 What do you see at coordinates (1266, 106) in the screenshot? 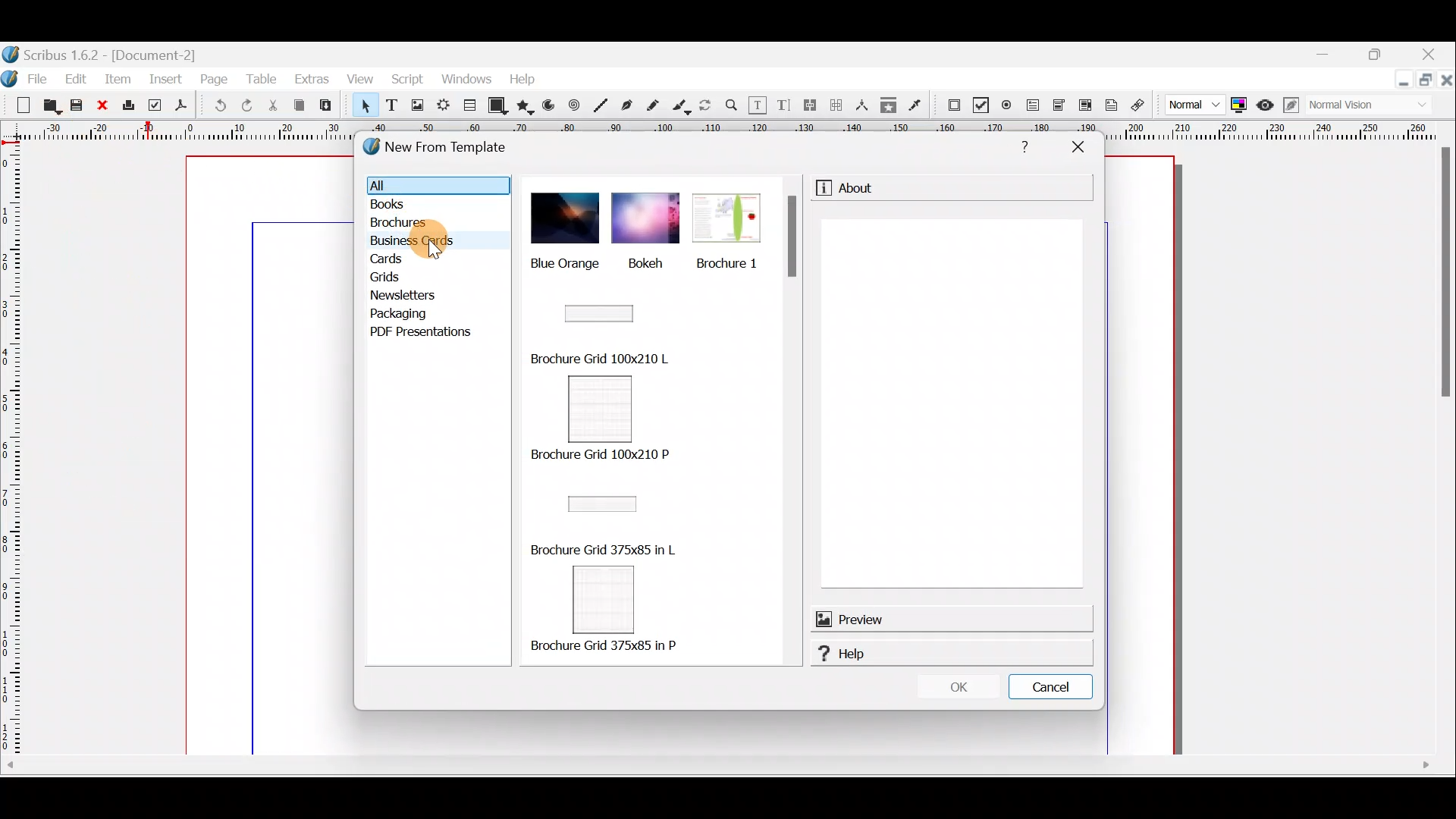
I see `Preview mode` at bounding box center [1266, 106].